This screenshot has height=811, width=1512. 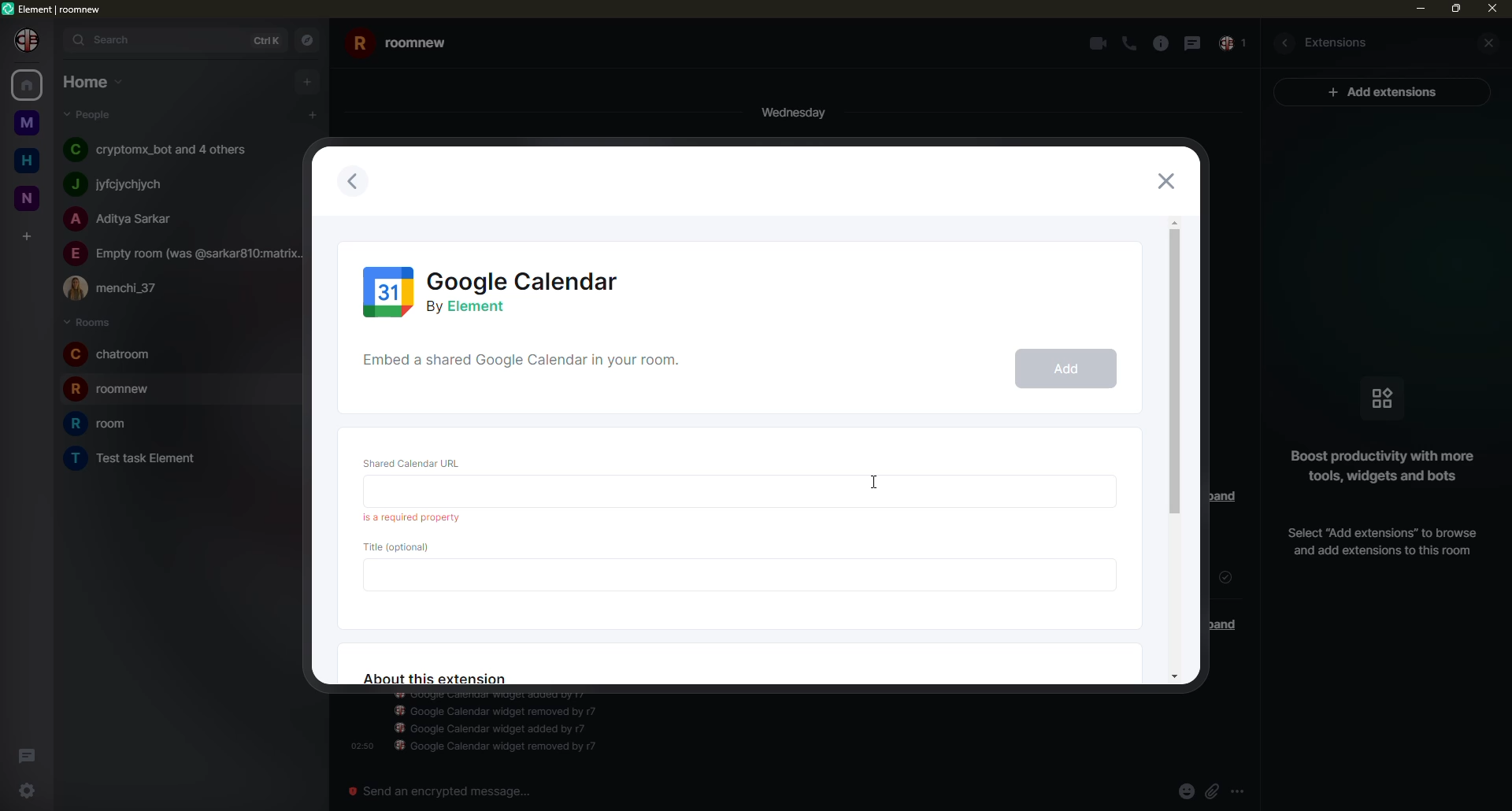 I want to click on calendar, so click(x=495, y=289).